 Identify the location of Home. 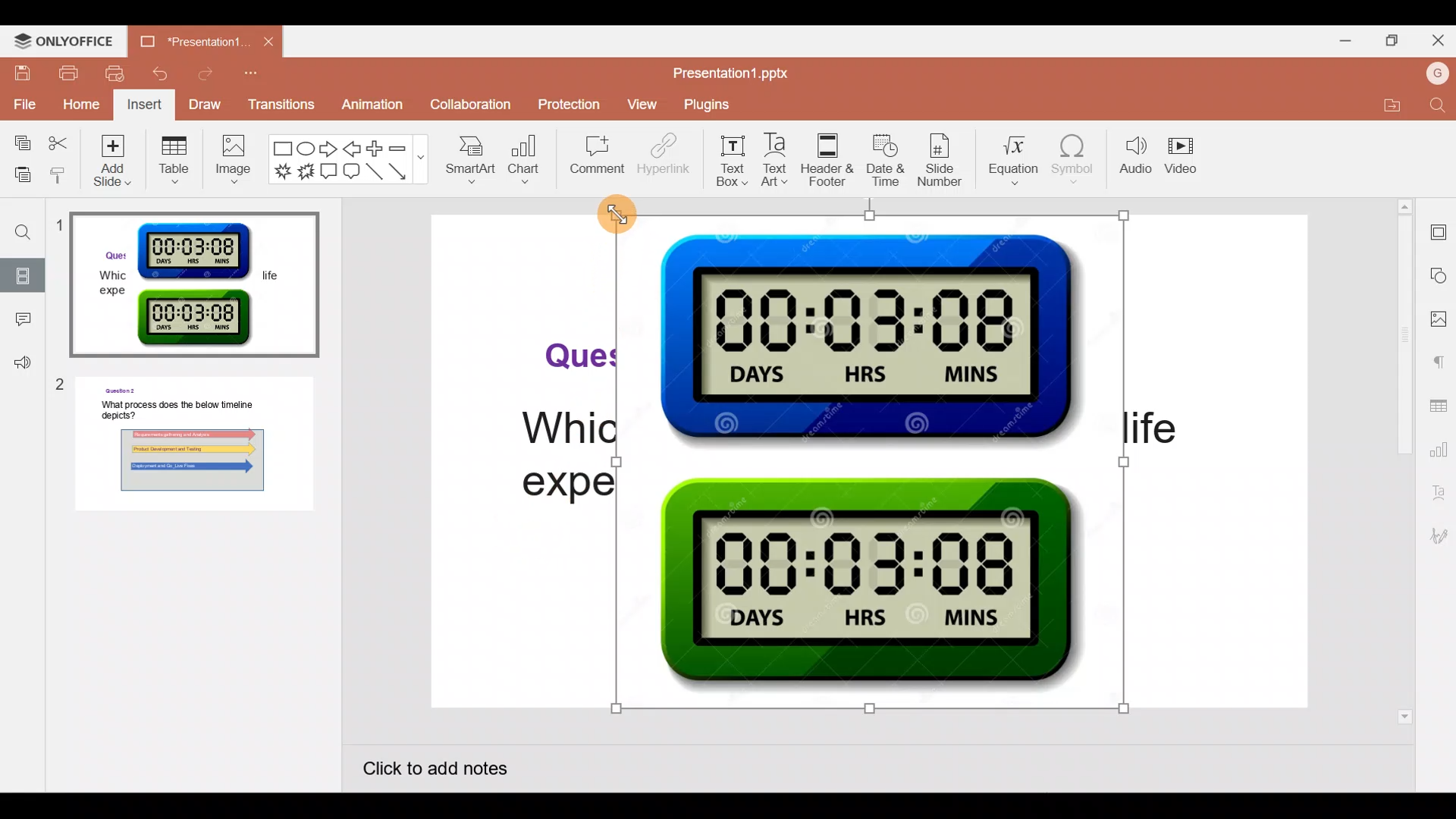
(81, 104).